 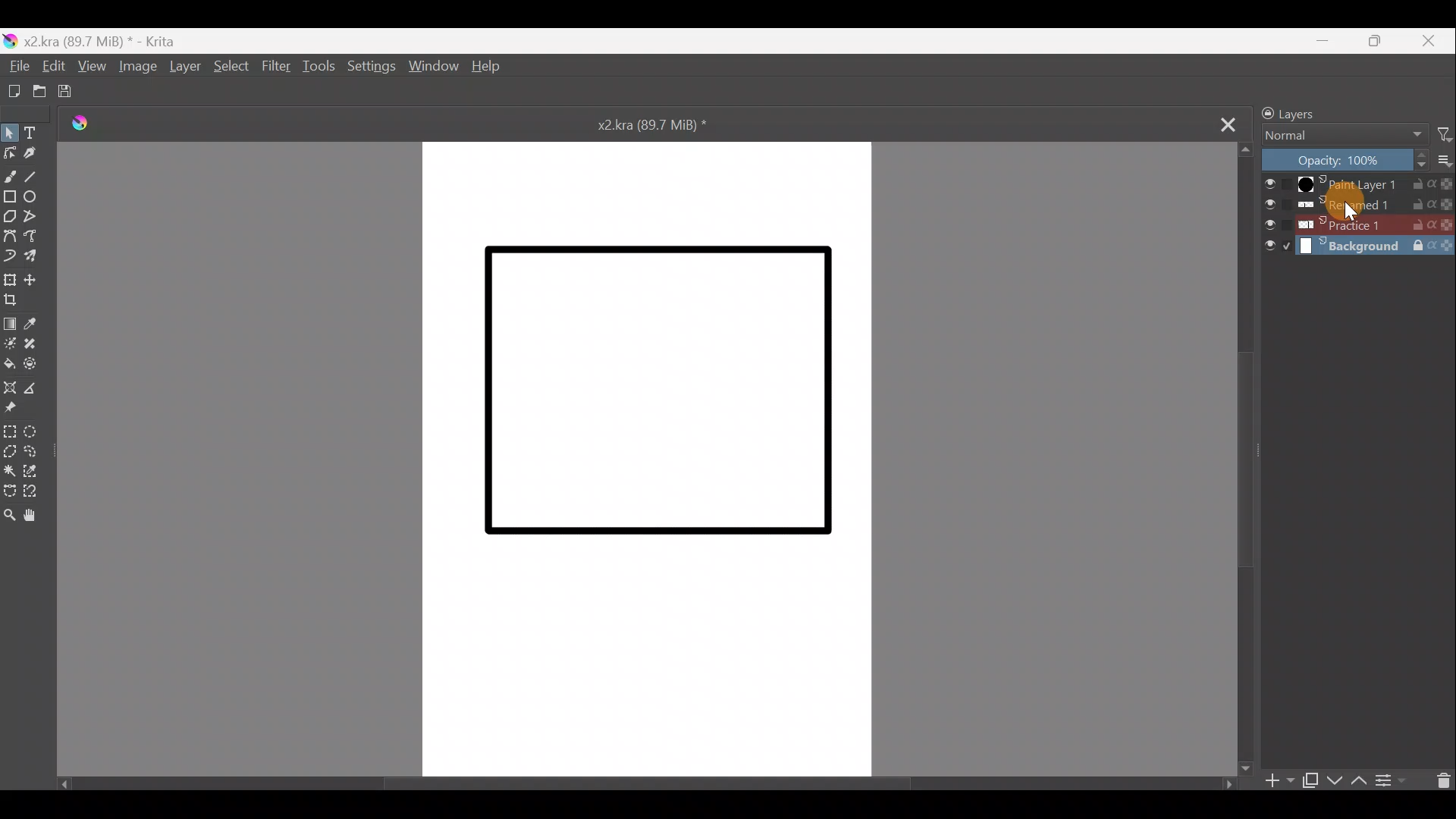 I want to click on Edit shapes tool, so click(x=9, y=153).